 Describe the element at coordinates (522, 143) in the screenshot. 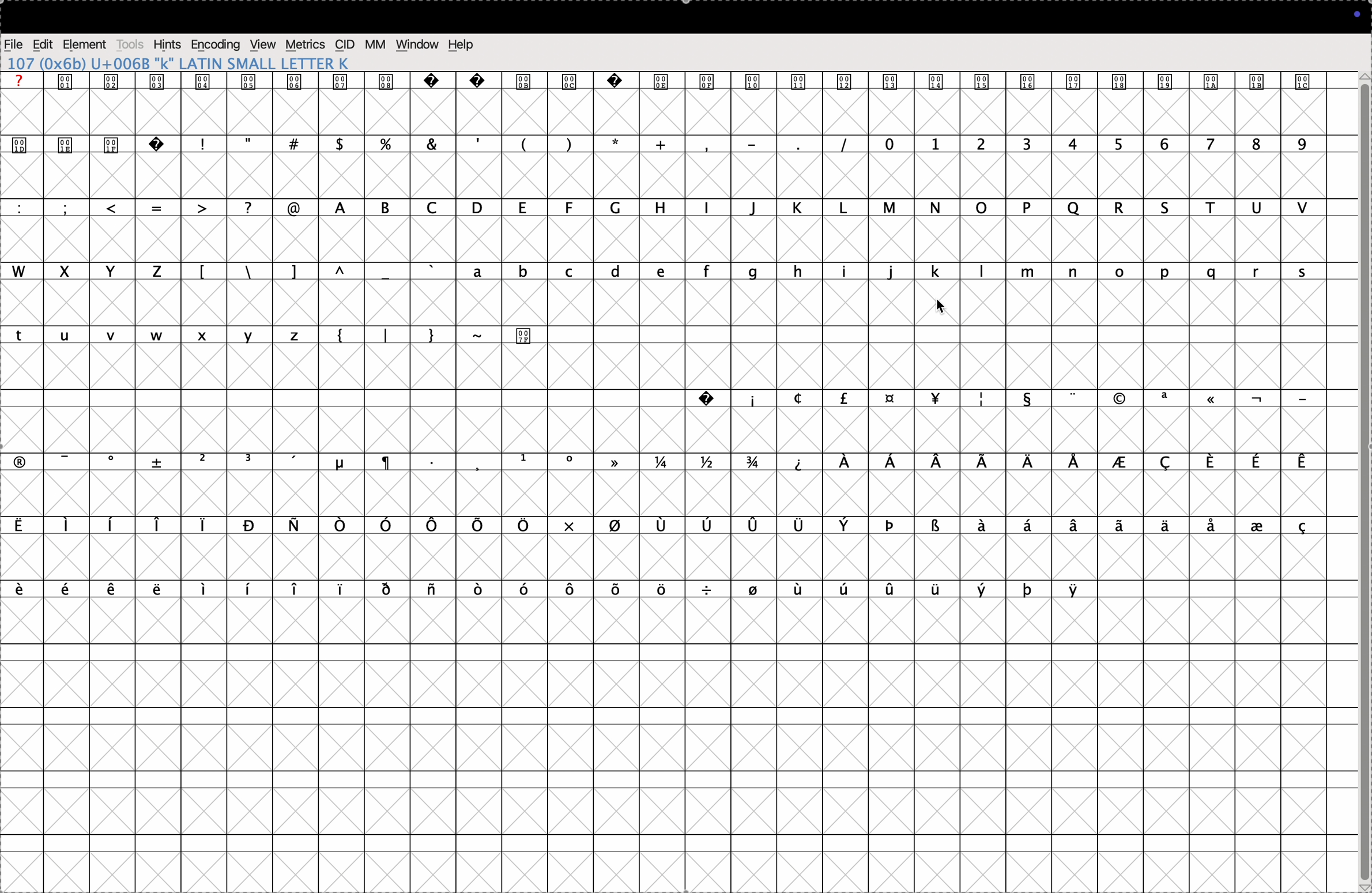

I see `(` at that location.